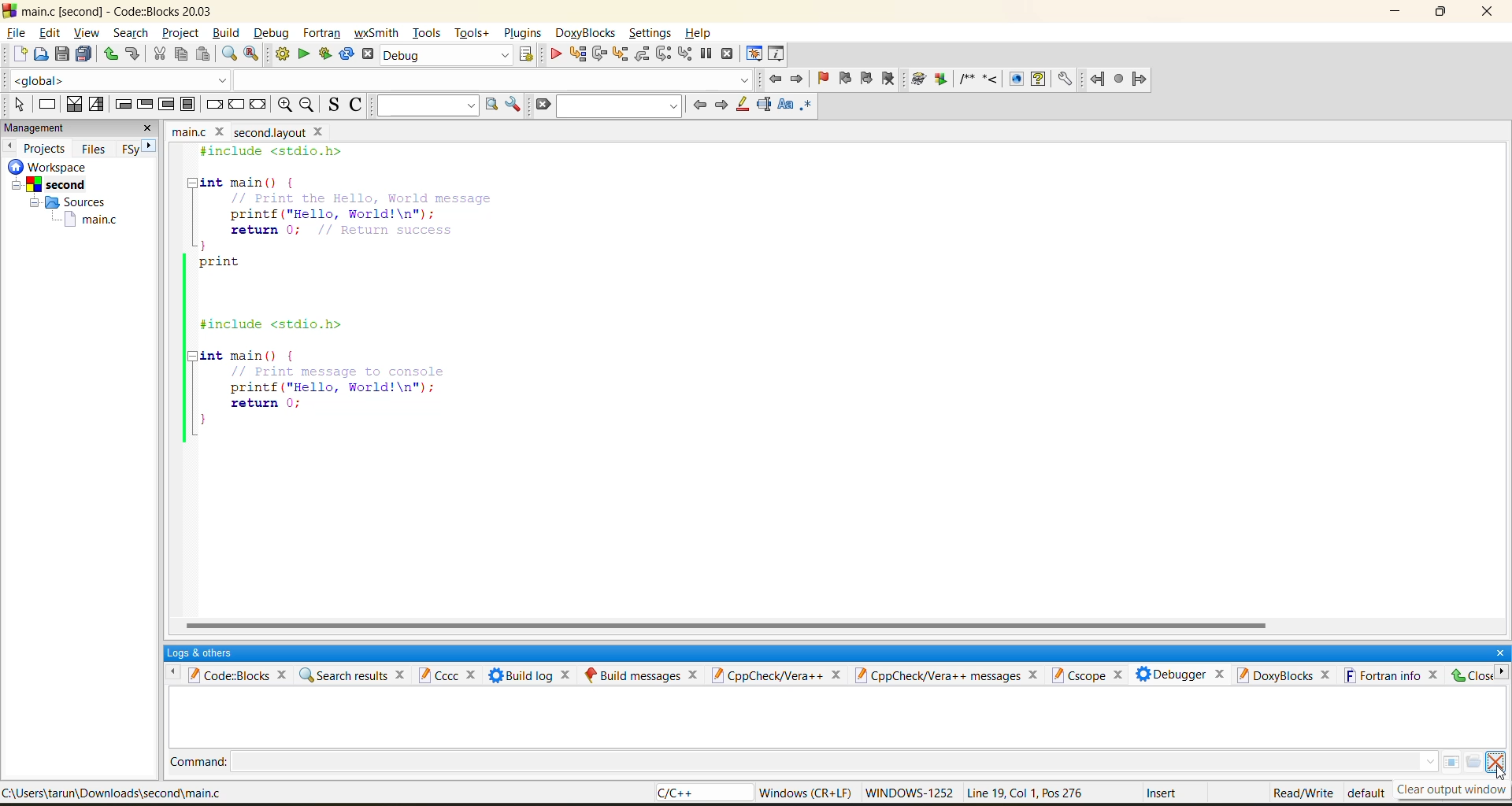  Describe the element at coordinates (699, 33) in the screenshot. I see `help` at that location.